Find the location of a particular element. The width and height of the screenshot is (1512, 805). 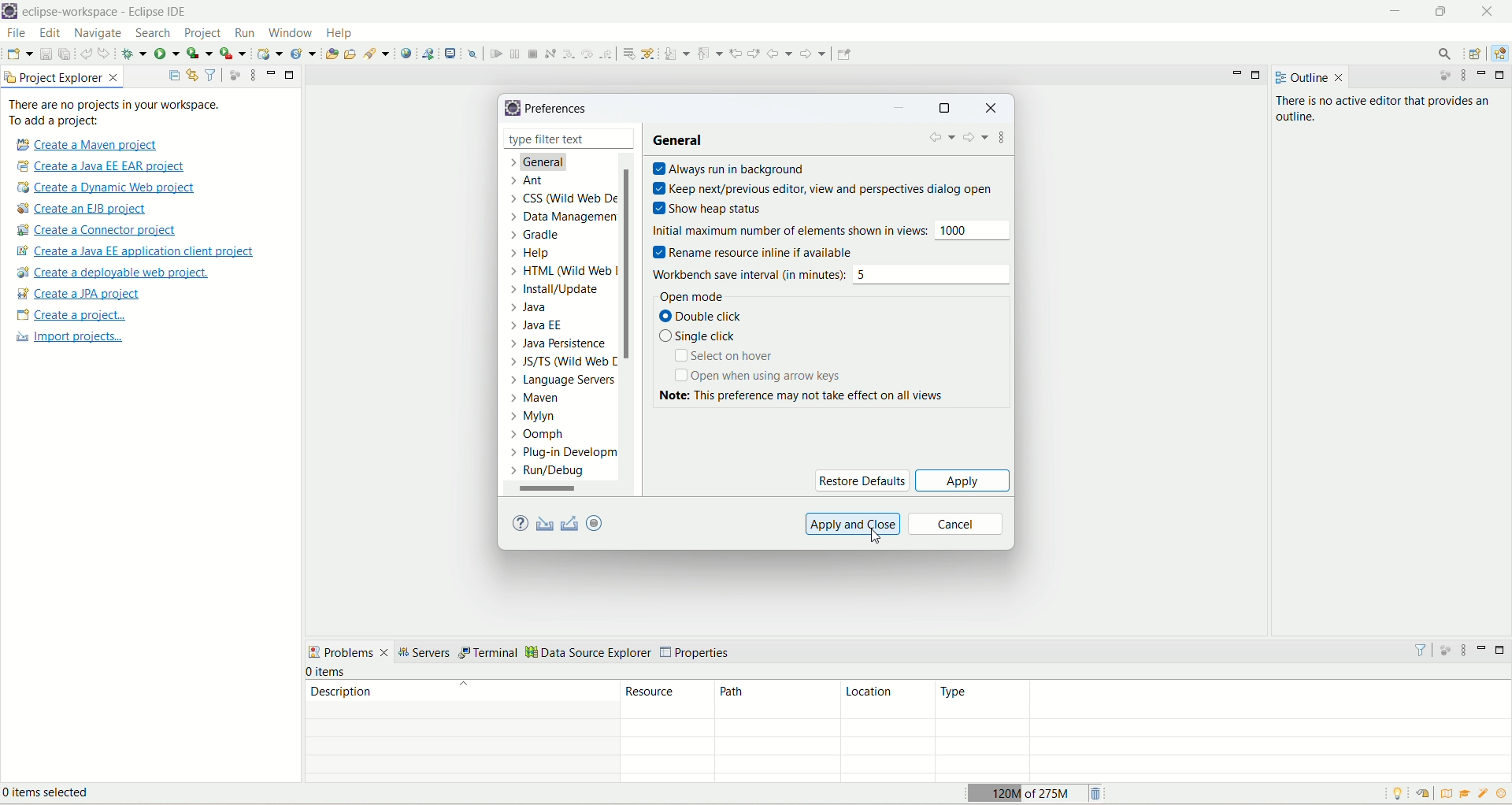

Java Persistence is located at coordinates (561, 346).